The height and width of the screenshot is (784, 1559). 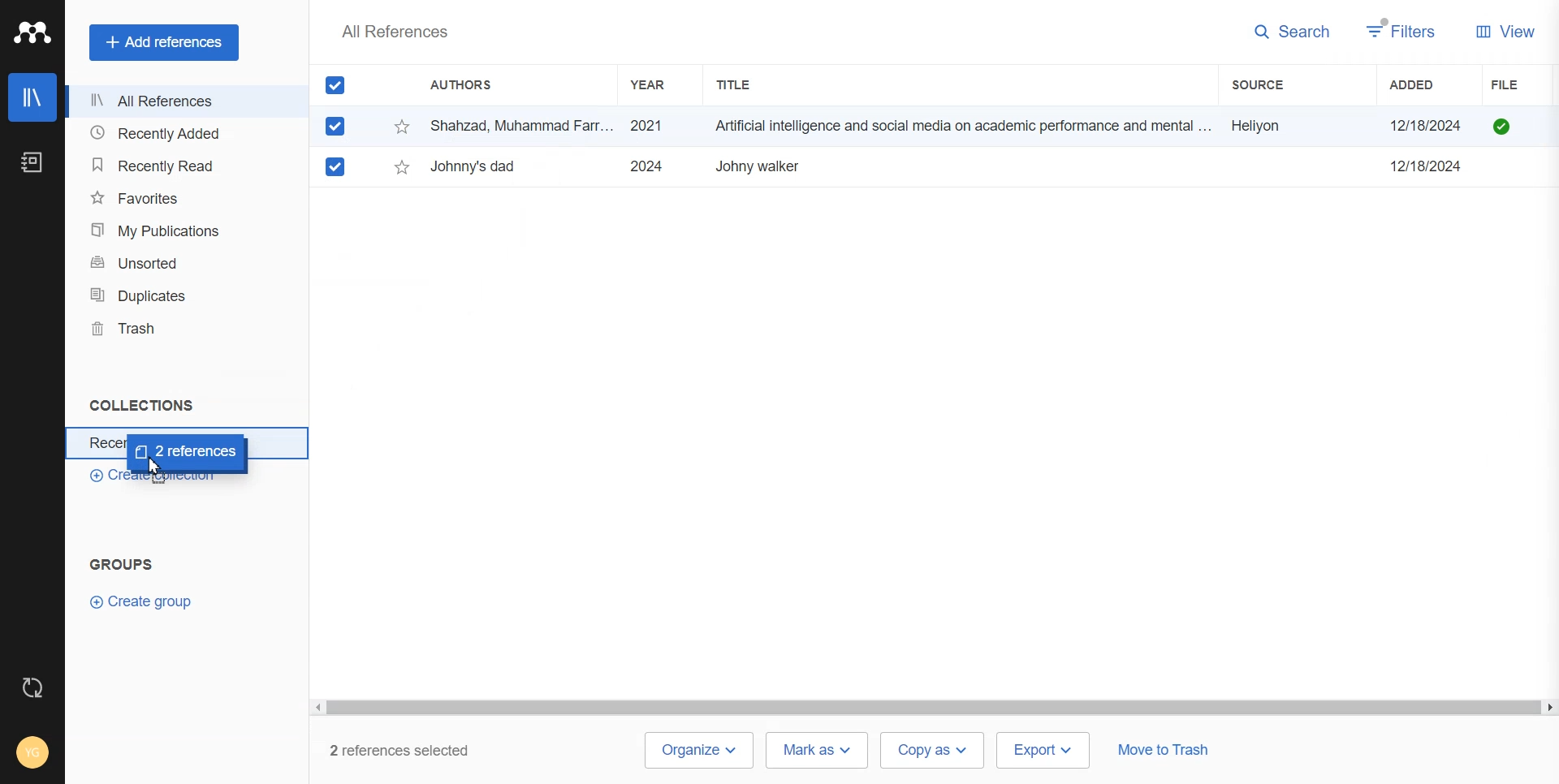 What do you see at coordinates (180, 328) in the screenshot?
I see `Trash` at bounding box center [180, 328].